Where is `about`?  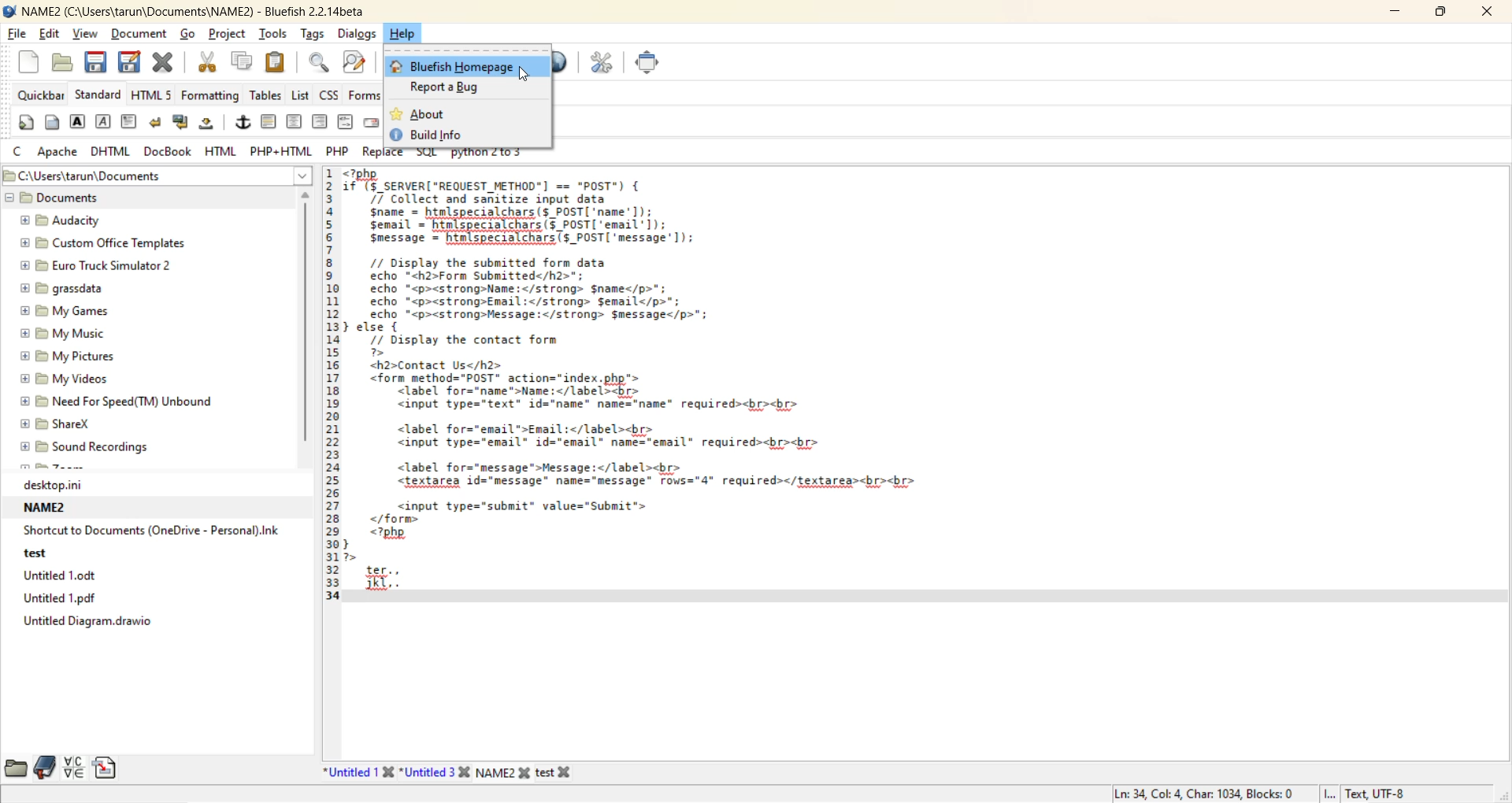 about is located at coordinates (417, 115).